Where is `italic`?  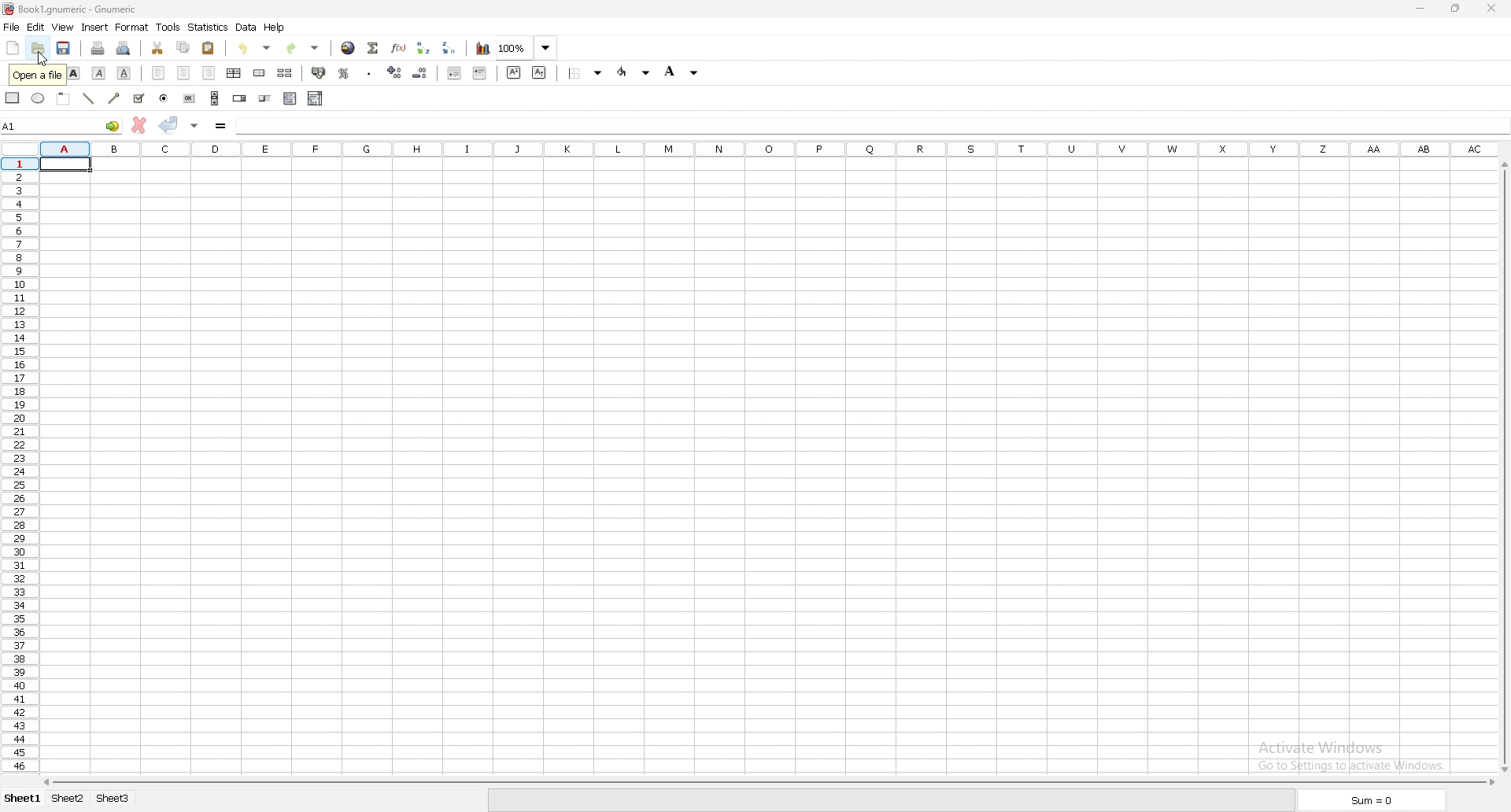
italic is located at coordinates (99, 73).